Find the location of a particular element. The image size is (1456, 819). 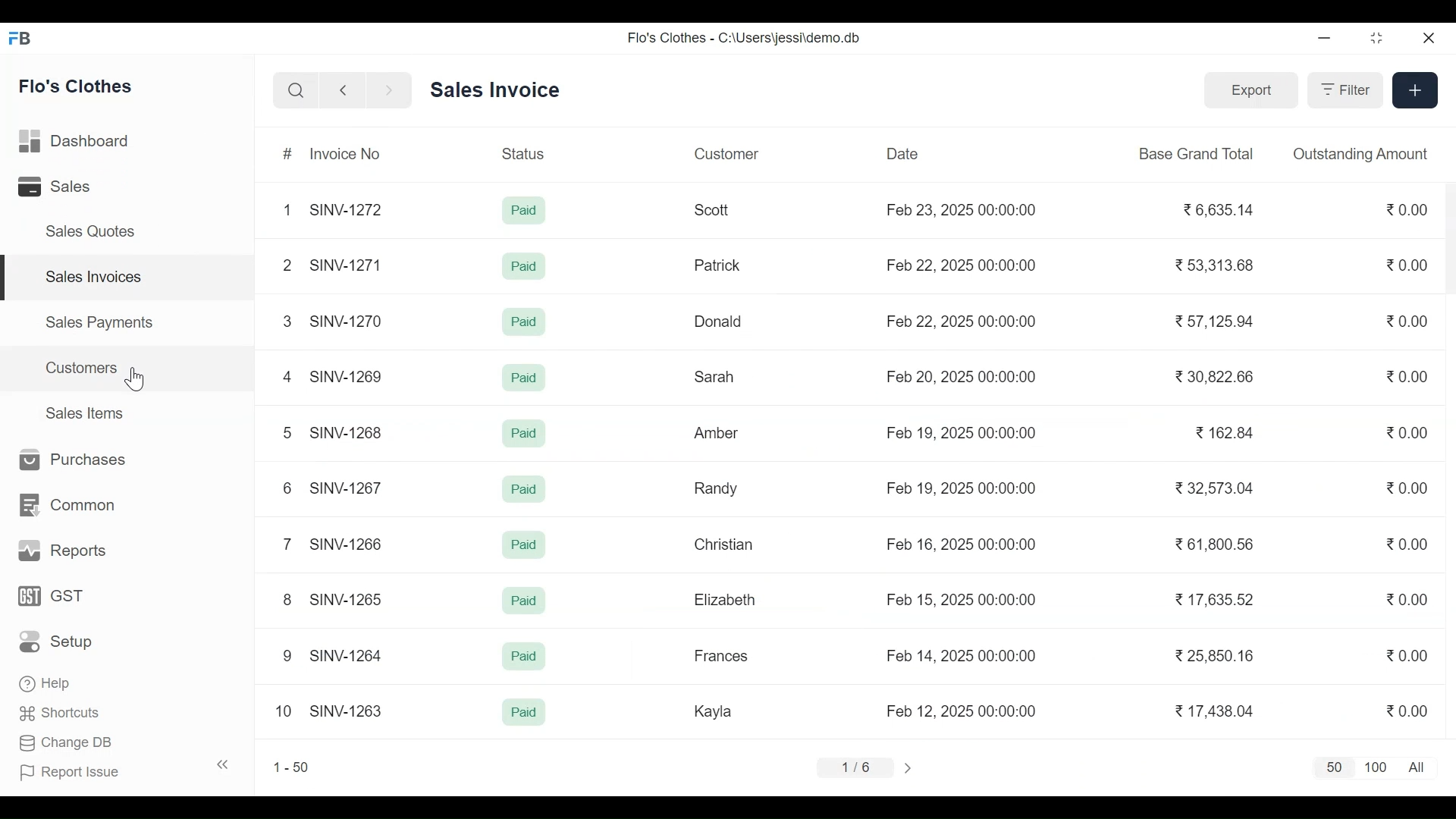

30,822.66 is located at coordinates (1216, 375).